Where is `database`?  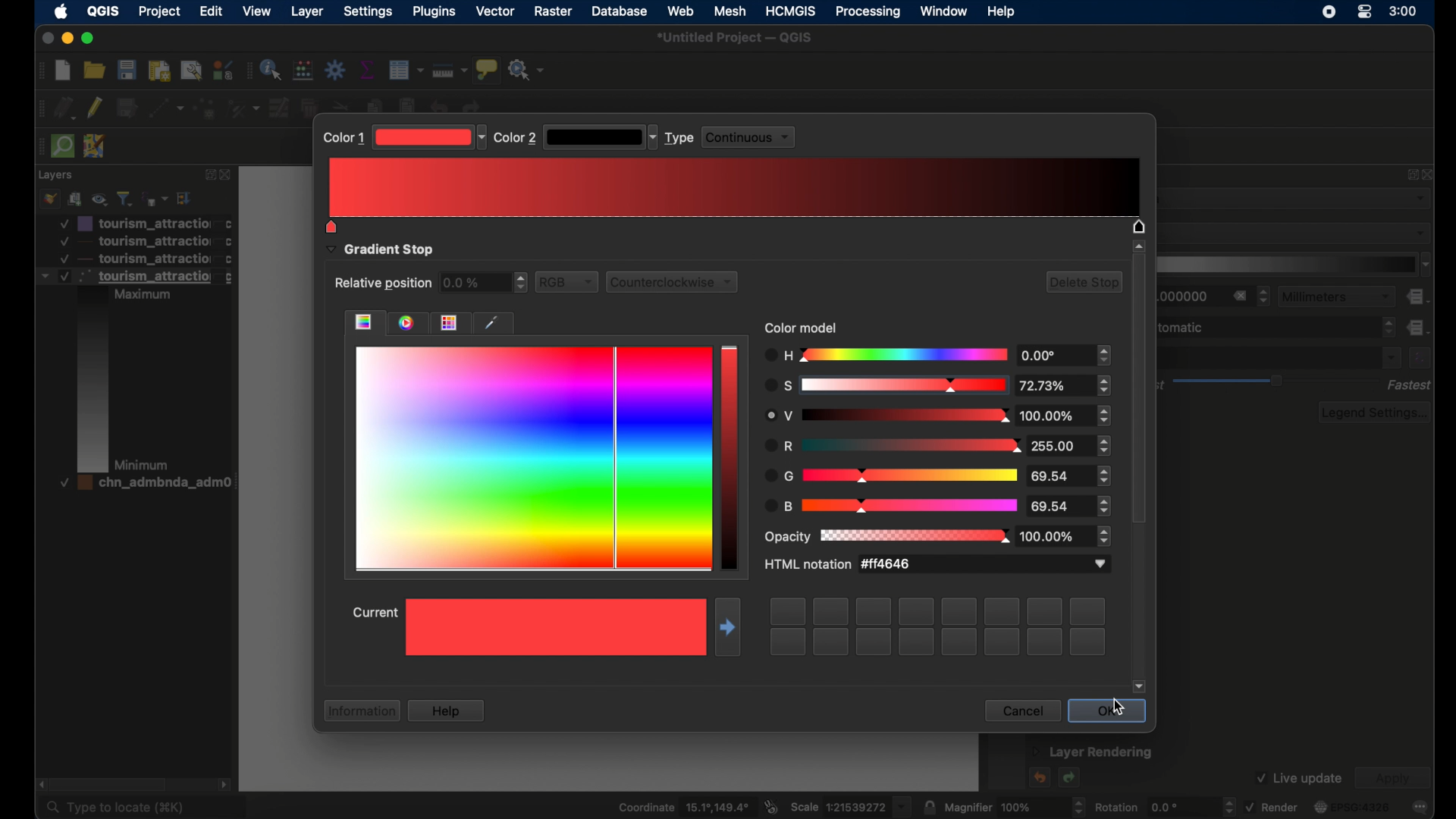
database is located at coordinates (620, 11).